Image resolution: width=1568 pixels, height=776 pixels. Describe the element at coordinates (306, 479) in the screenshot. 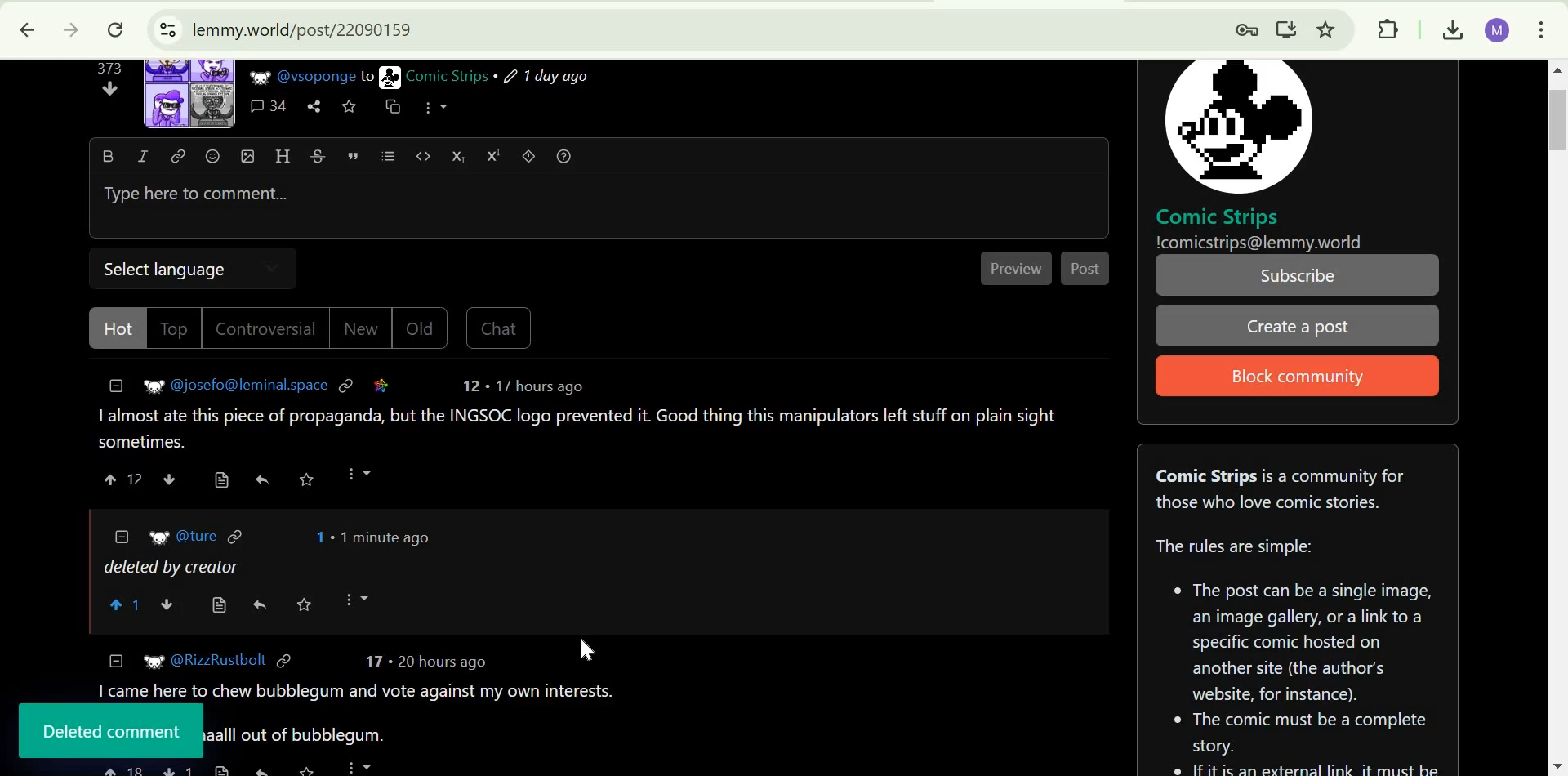

I see `save` at that location.